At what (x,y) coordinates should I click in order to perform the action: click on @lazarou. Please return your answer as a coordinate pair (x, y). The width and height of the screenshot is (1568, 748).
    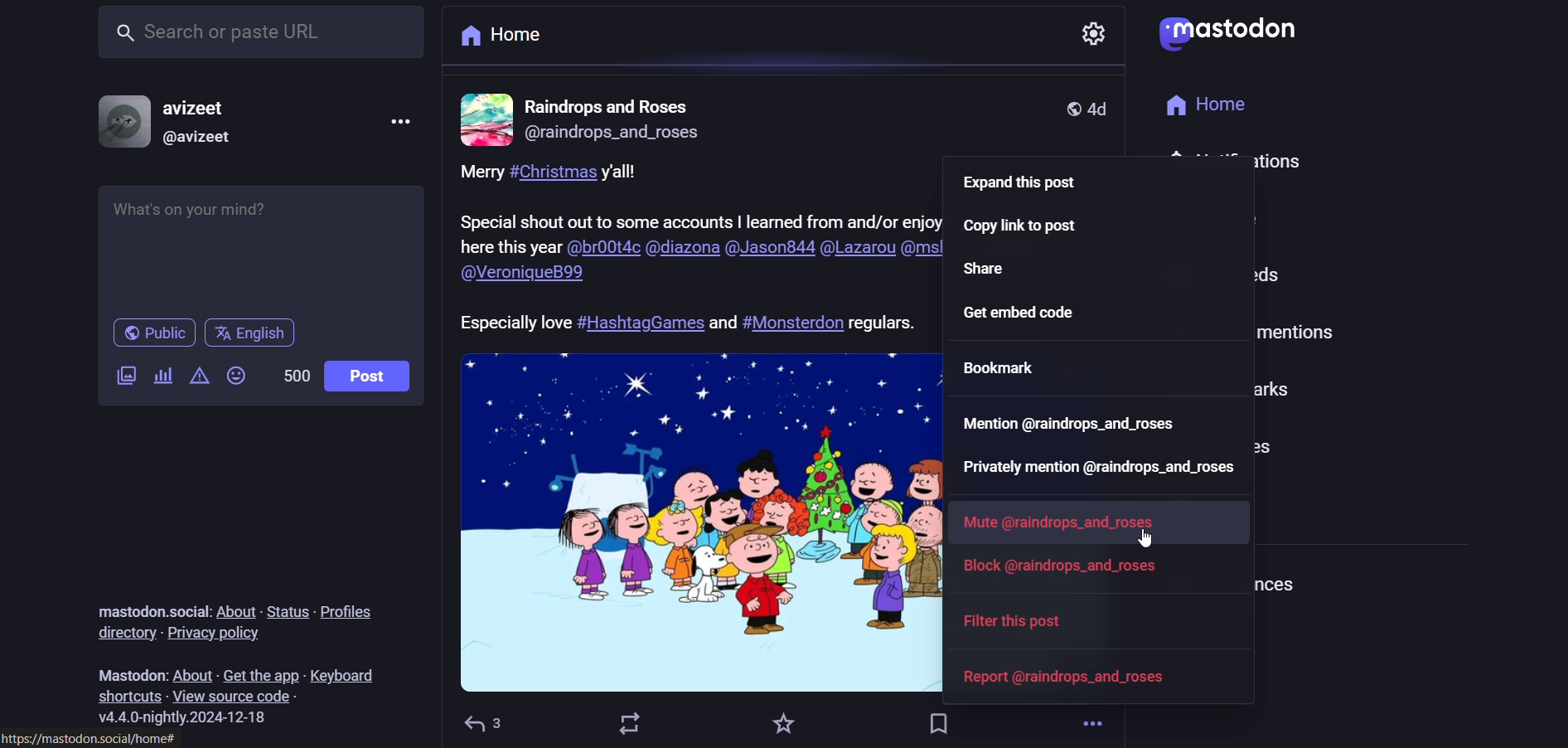
    Looking at the image, I should click on (858, 250).